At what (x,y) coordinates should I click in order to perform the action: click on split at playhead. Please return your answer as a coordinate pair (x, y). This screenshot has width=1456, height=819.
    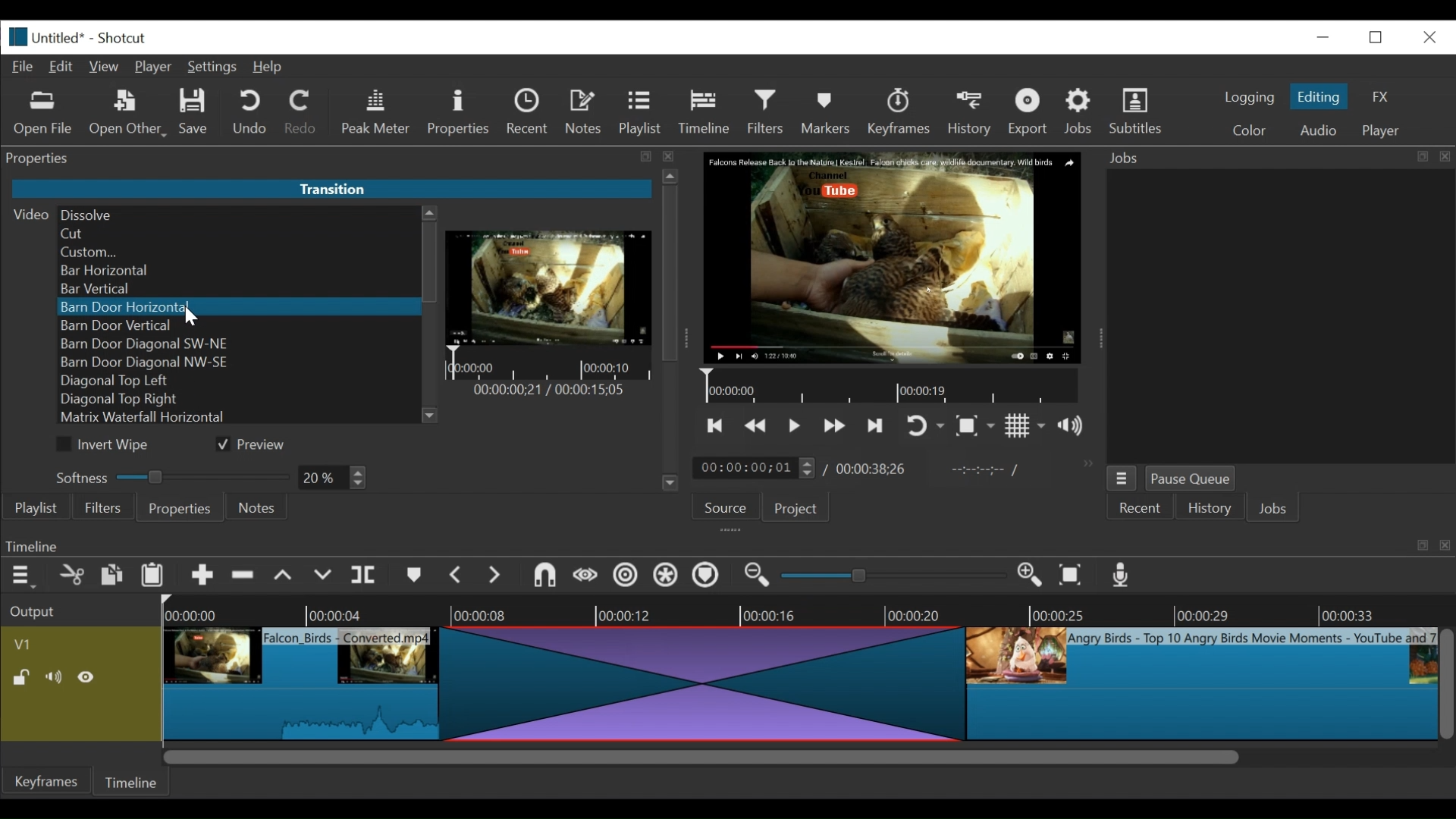
    Looking at the image, I should click on (366, 576).